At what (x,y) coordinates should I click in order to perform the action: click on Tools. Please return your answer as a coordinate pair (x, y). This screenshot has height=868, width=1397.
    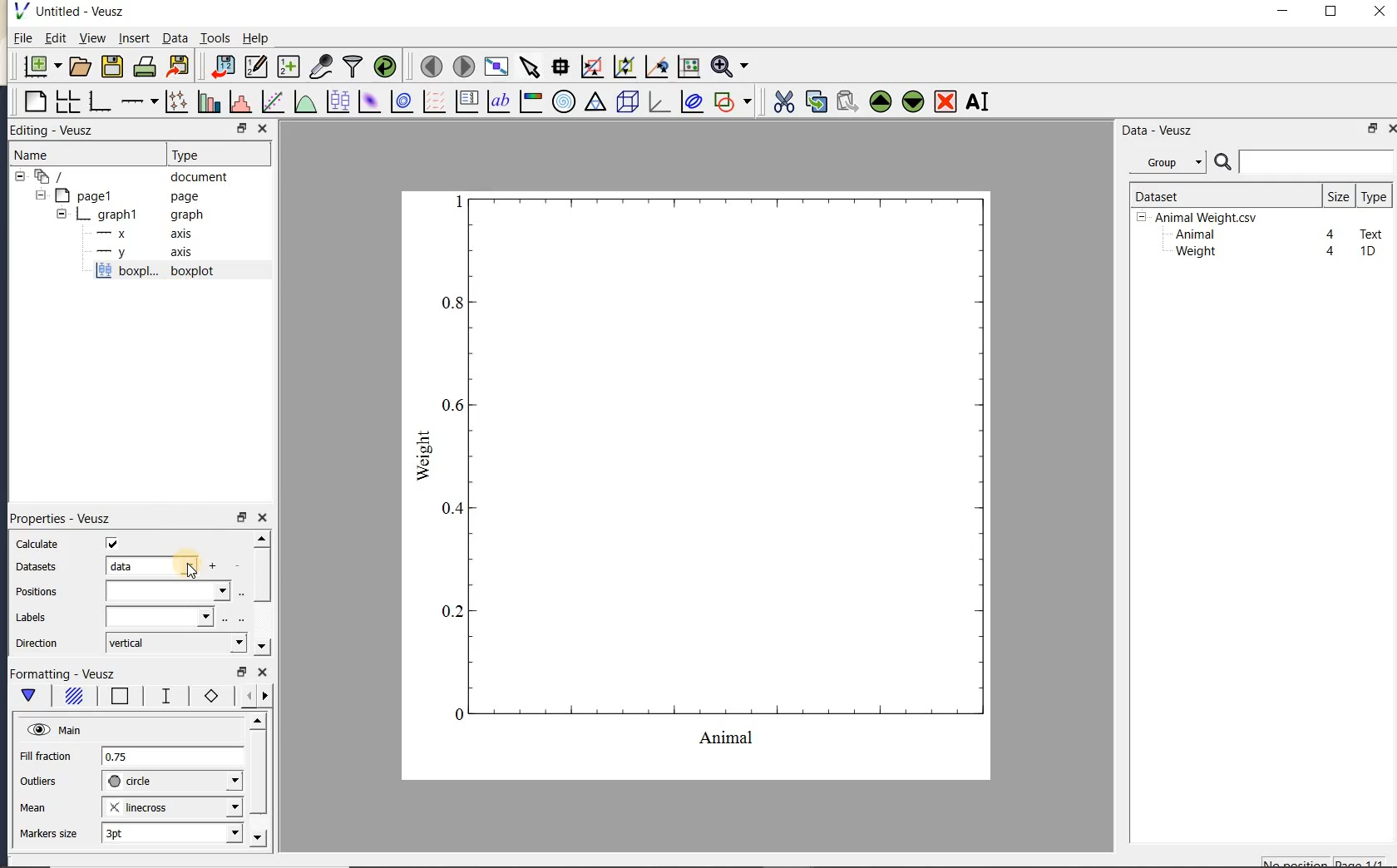
    Looking at the image, I should click on (216, 37).